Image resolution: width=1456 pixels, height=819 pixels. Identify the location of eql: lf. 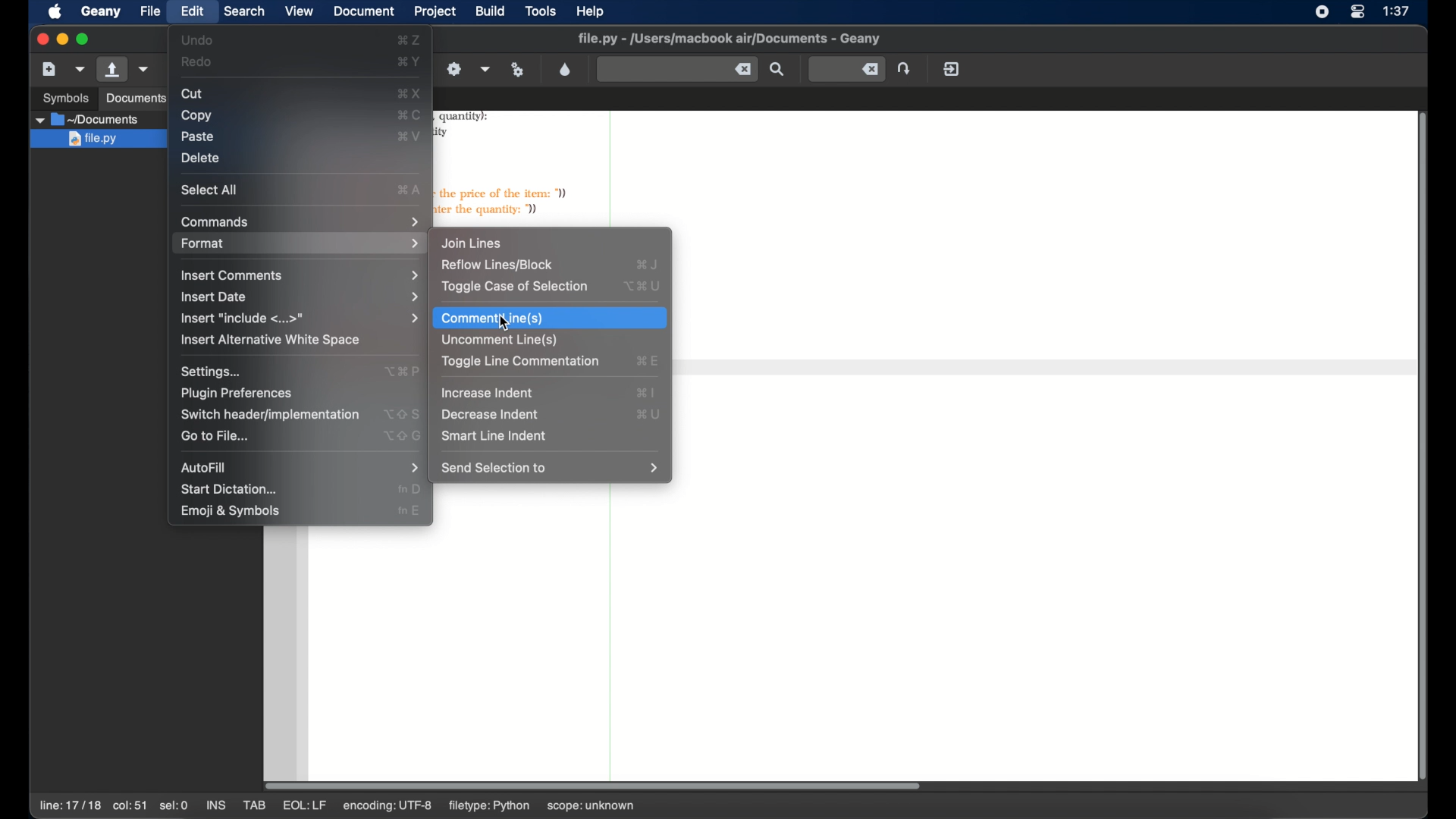
(305, 806).